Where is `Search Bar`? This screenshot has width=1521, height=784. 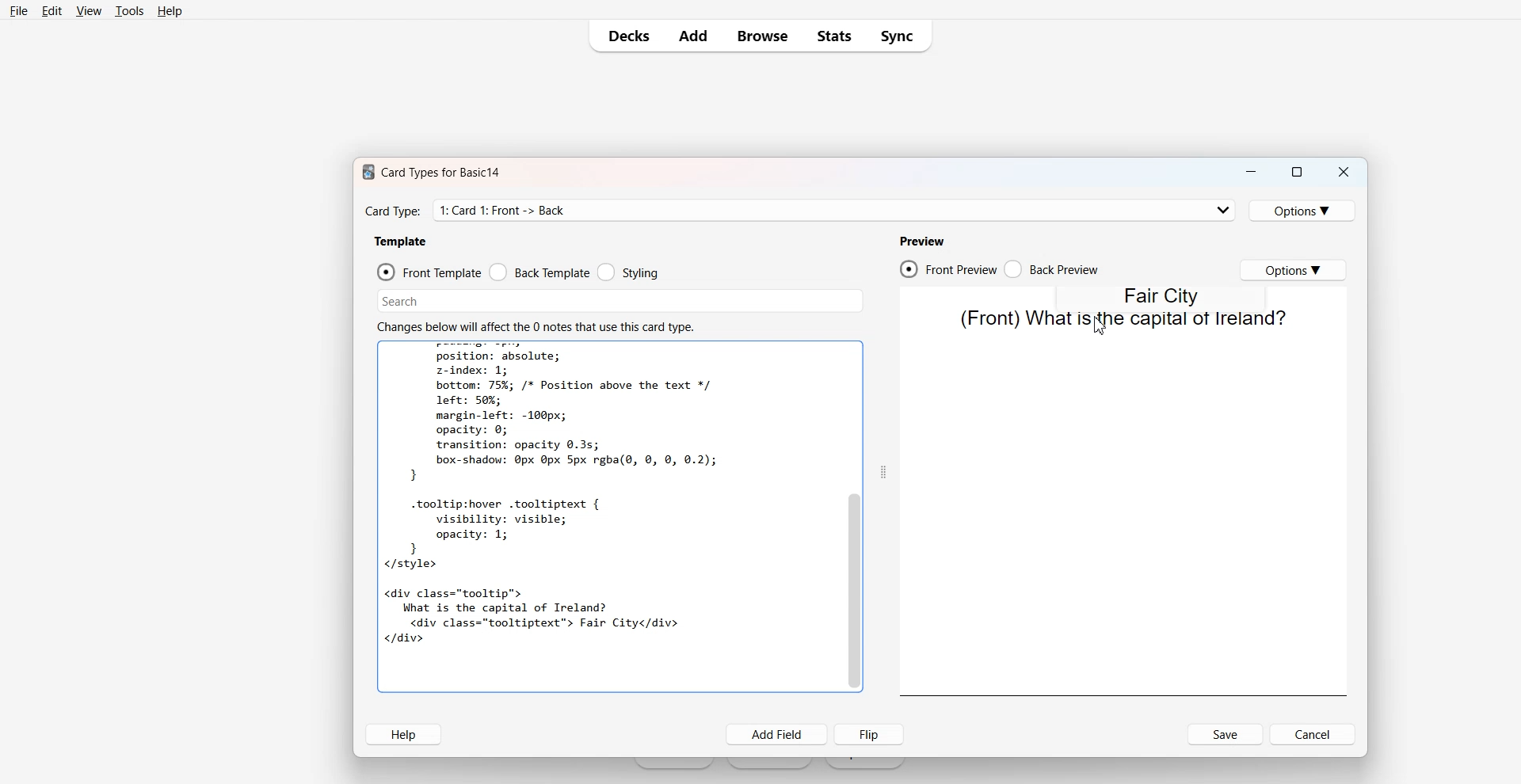
Search Bar is located at coordinates (620, 301).